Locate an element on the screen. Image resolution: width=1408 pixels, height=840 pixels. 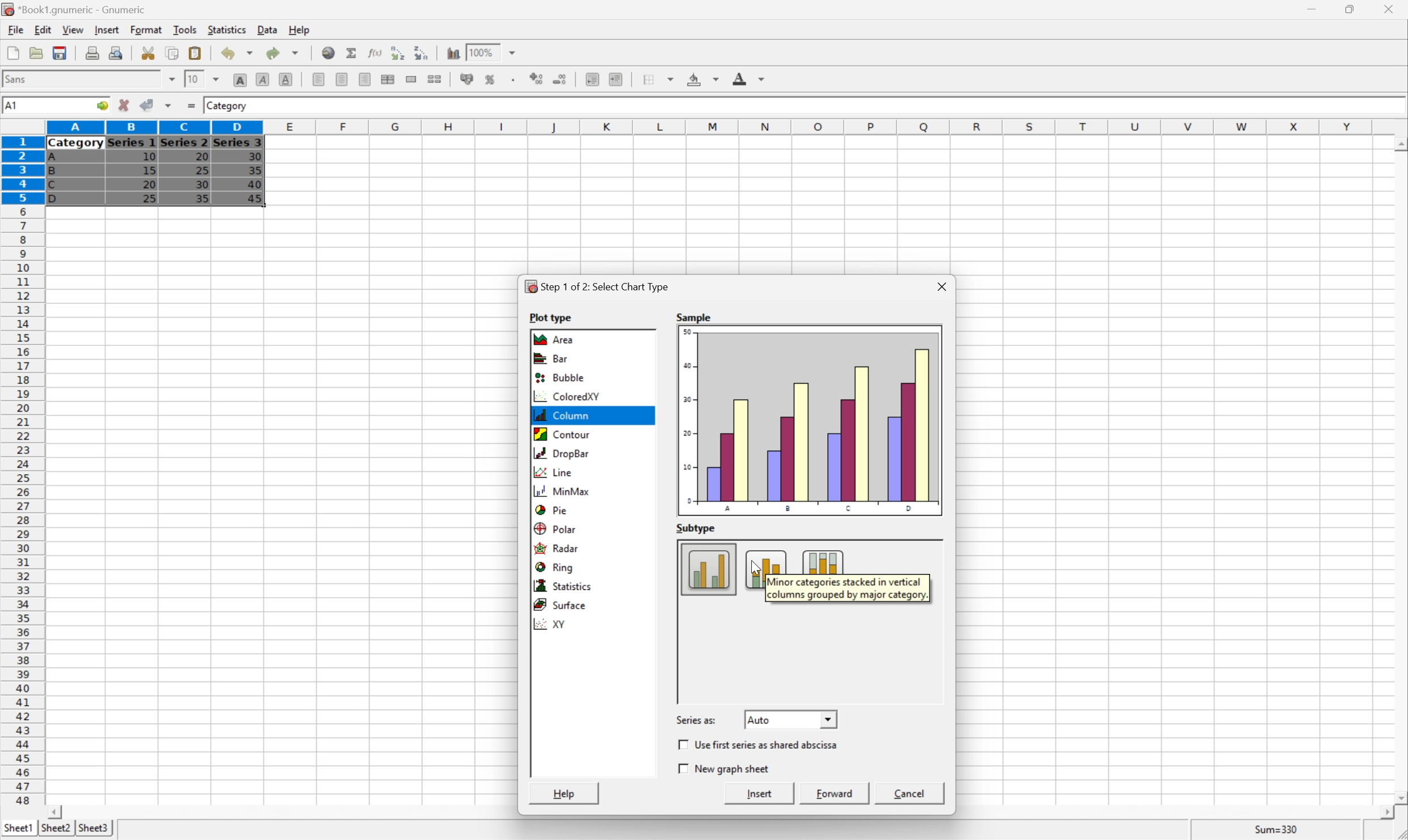
20 is located at coordinates (200, 155).